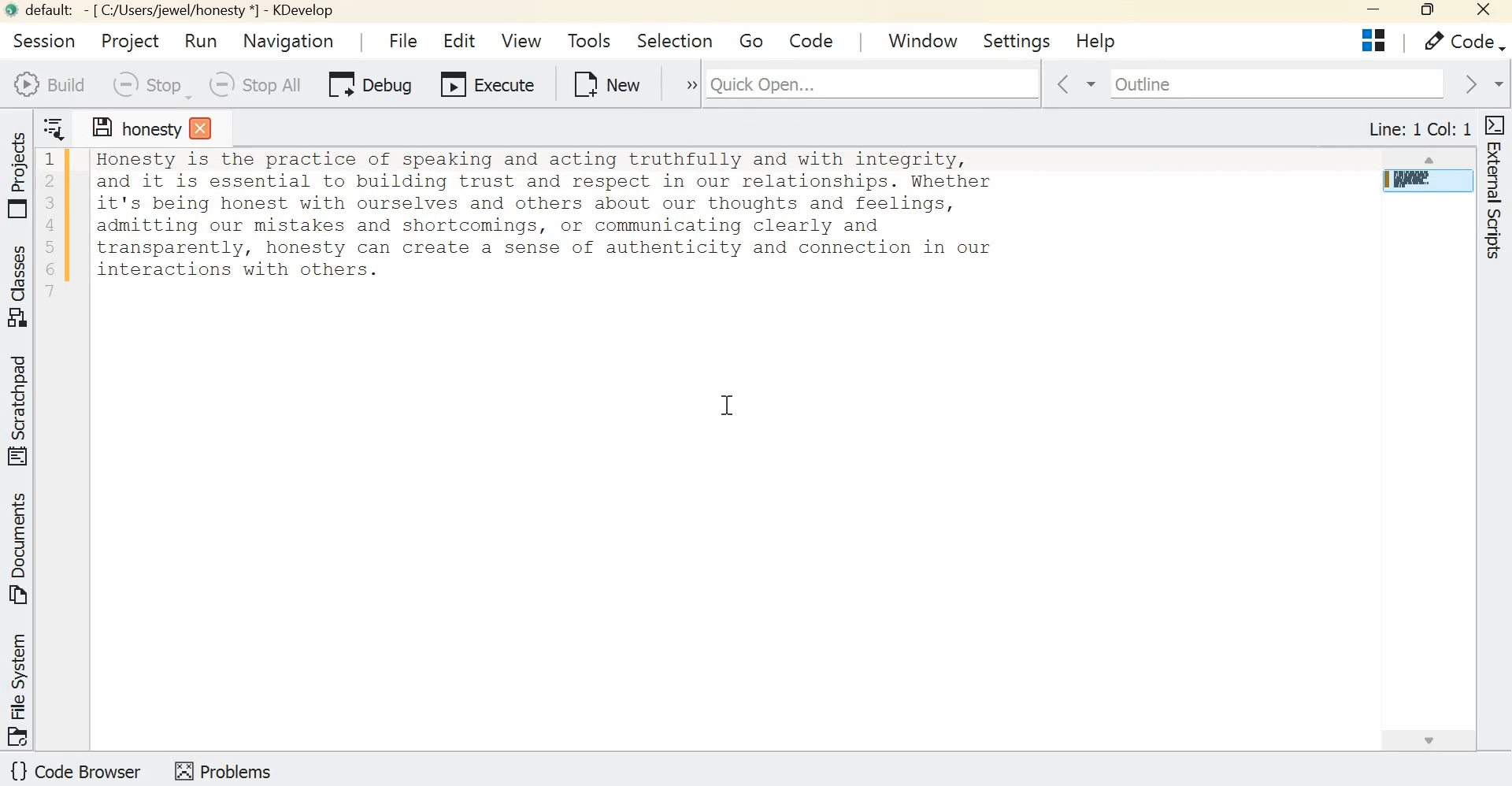  I want to click on Toggle 'code browser' tool view, so click(77, 773).